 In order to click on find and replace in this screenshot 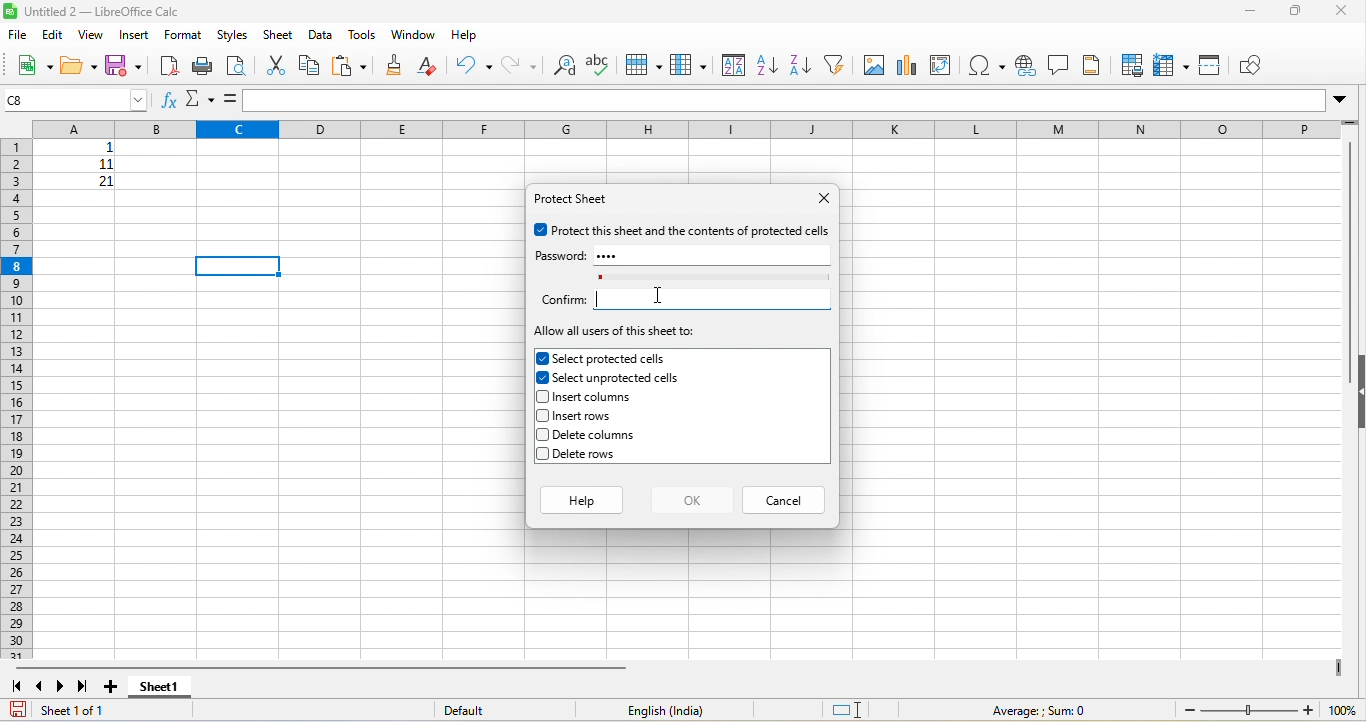, I will do `click(561, 65)`.